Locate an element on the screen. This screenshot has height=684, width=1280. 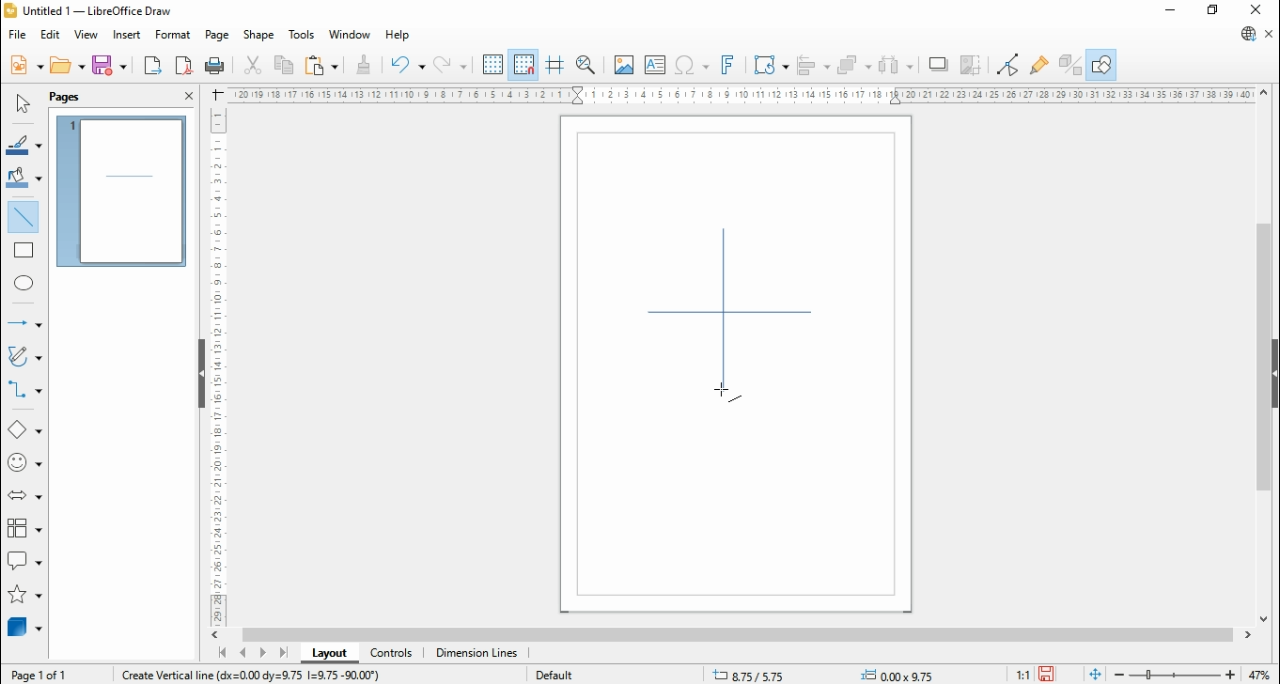
select is located at coordinates (21, 104).